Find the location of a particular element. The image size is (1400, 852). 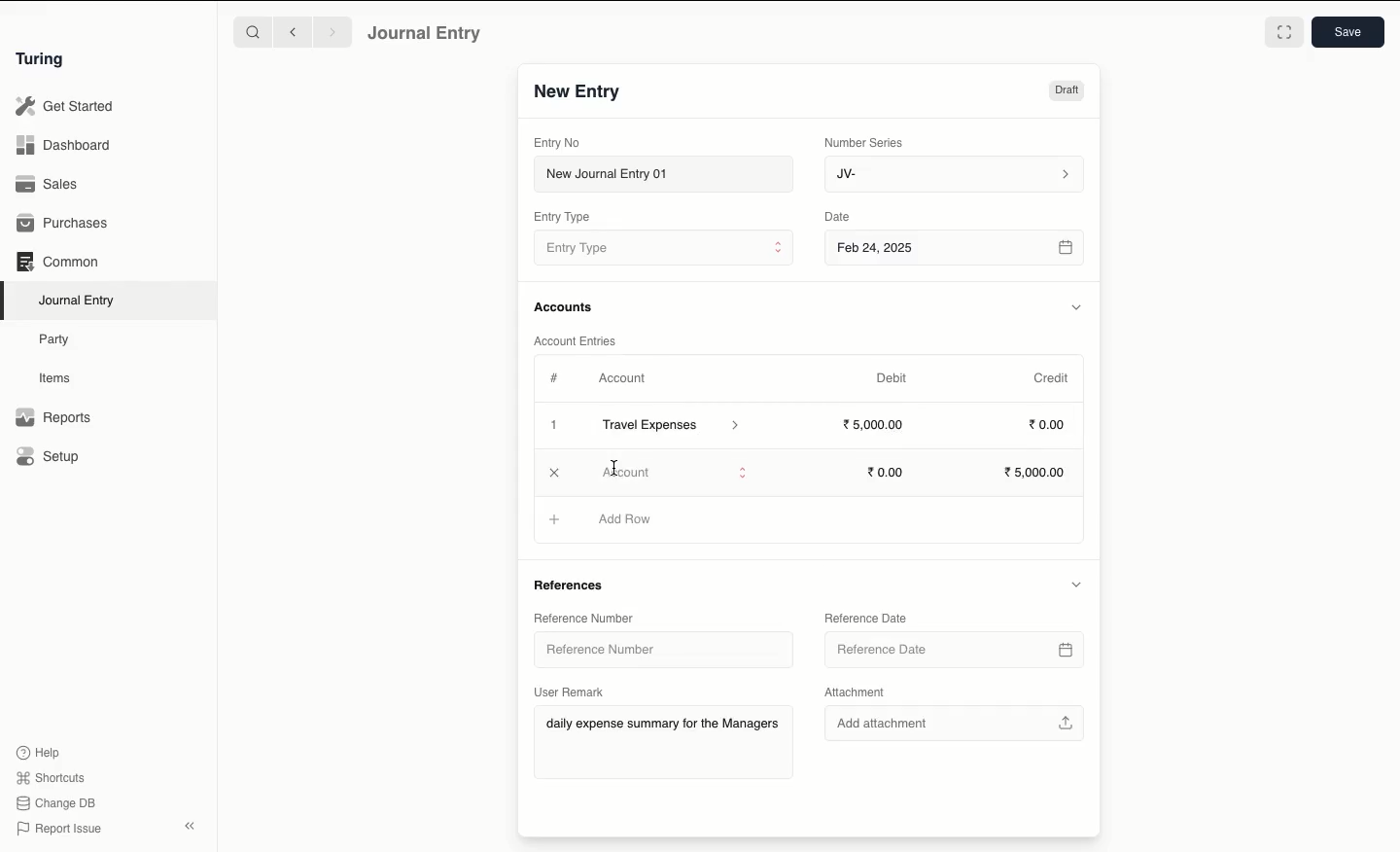

Travel Expenses is located at coordinates (673, 427).